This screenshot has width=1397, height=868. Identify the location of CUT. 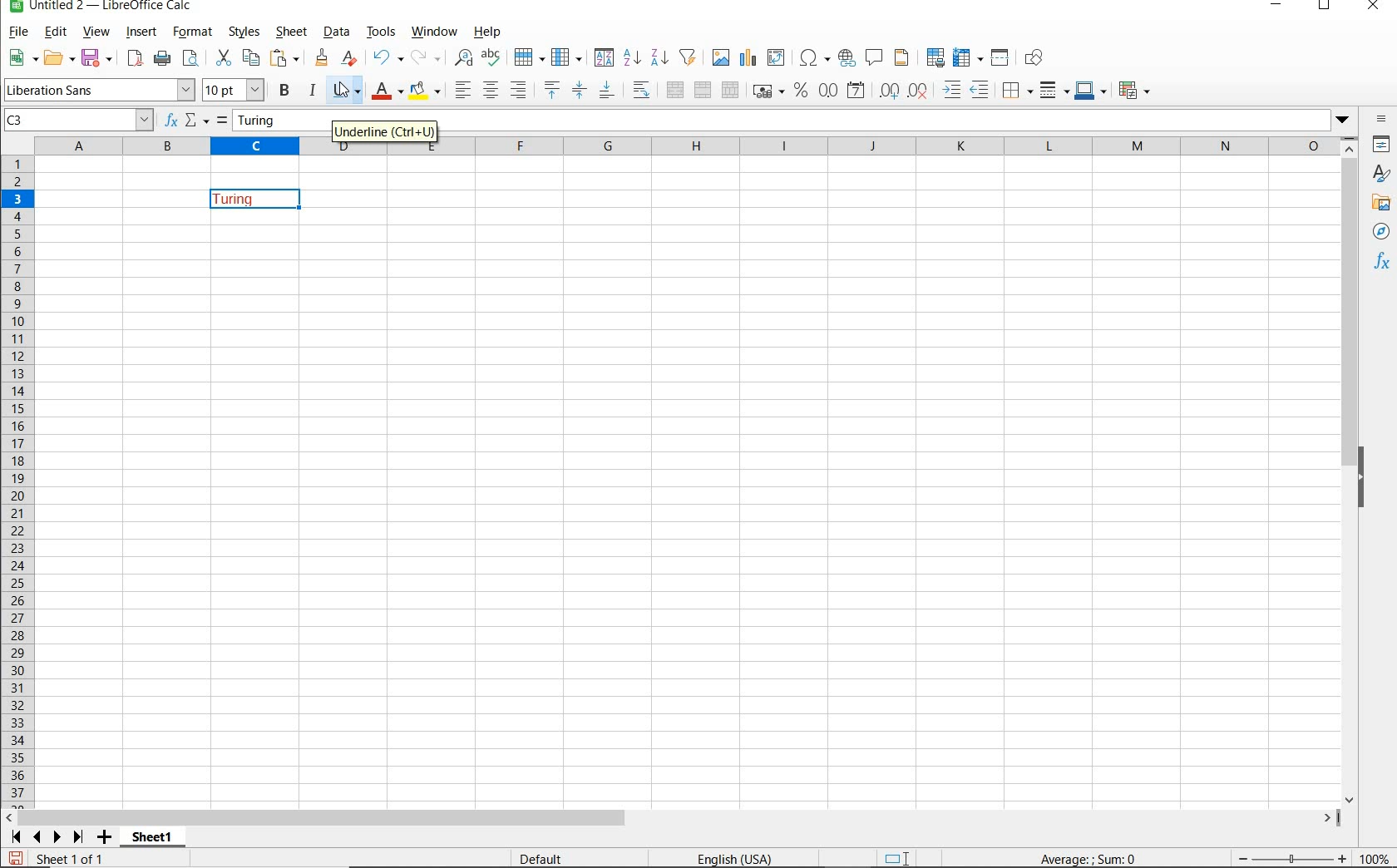
(223, 59).